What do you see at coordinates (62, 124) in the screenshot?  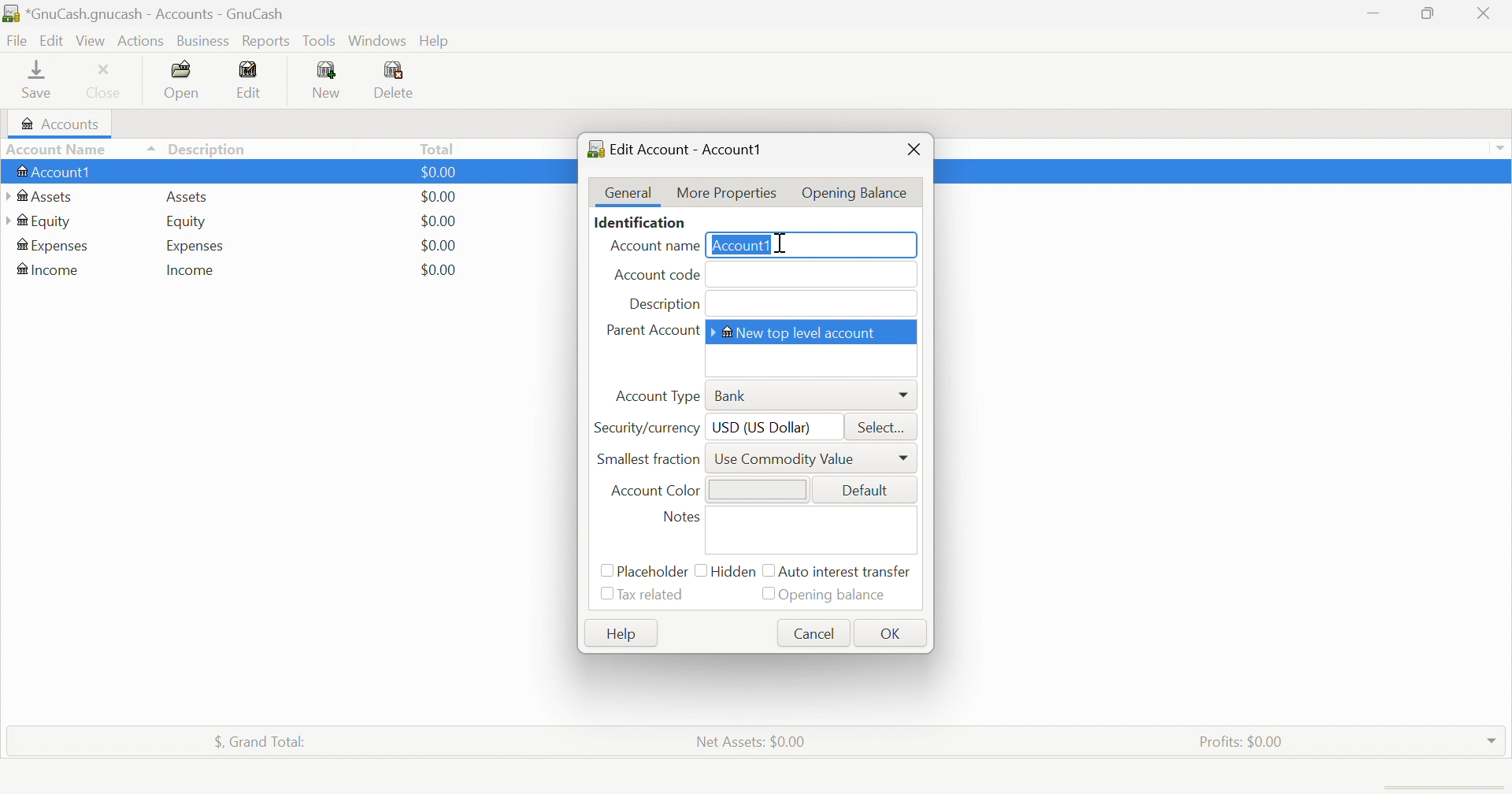 I see `Accounts` at bounding box center [62, 124].